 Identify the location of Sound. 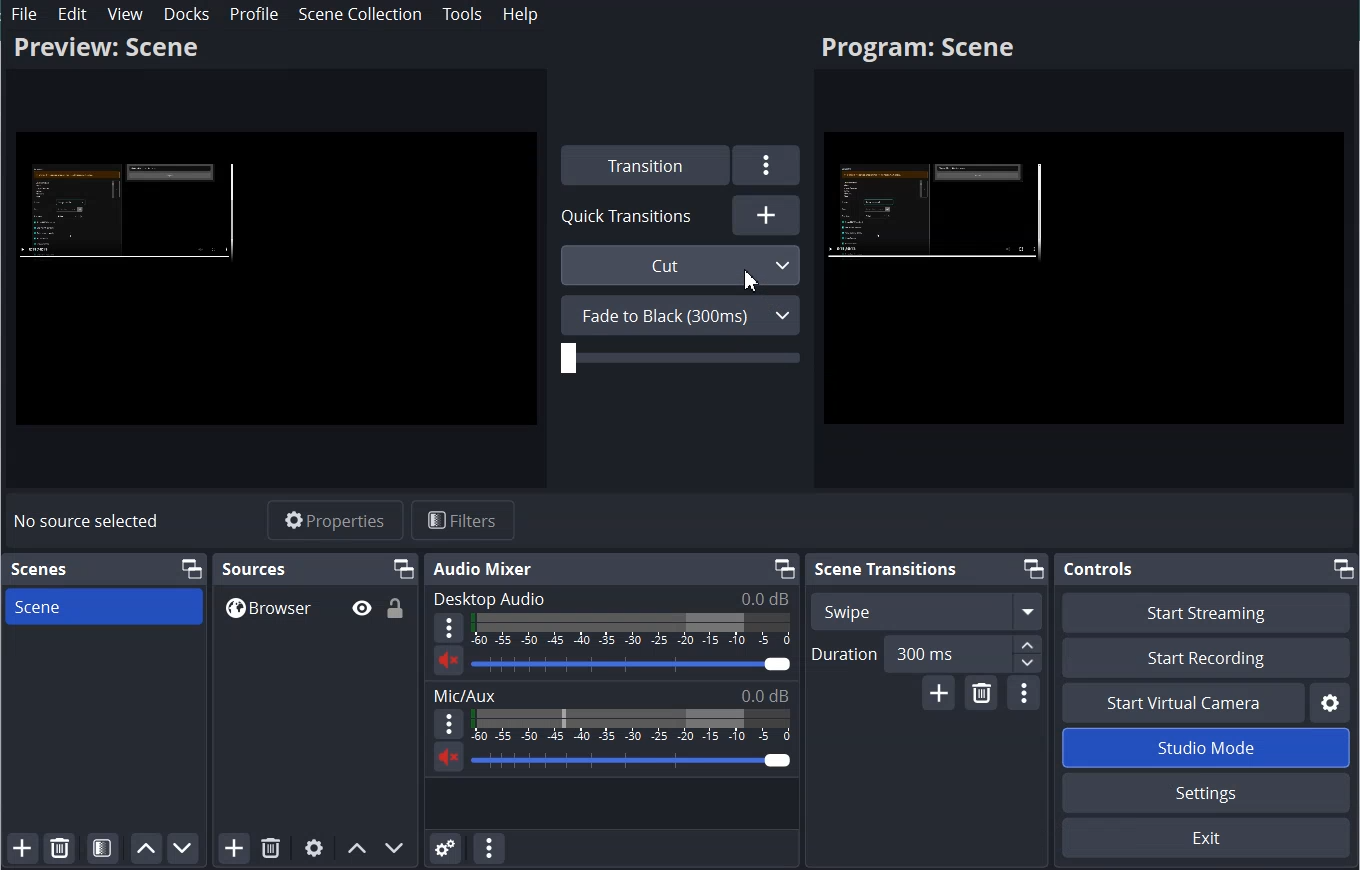
(448, 756).